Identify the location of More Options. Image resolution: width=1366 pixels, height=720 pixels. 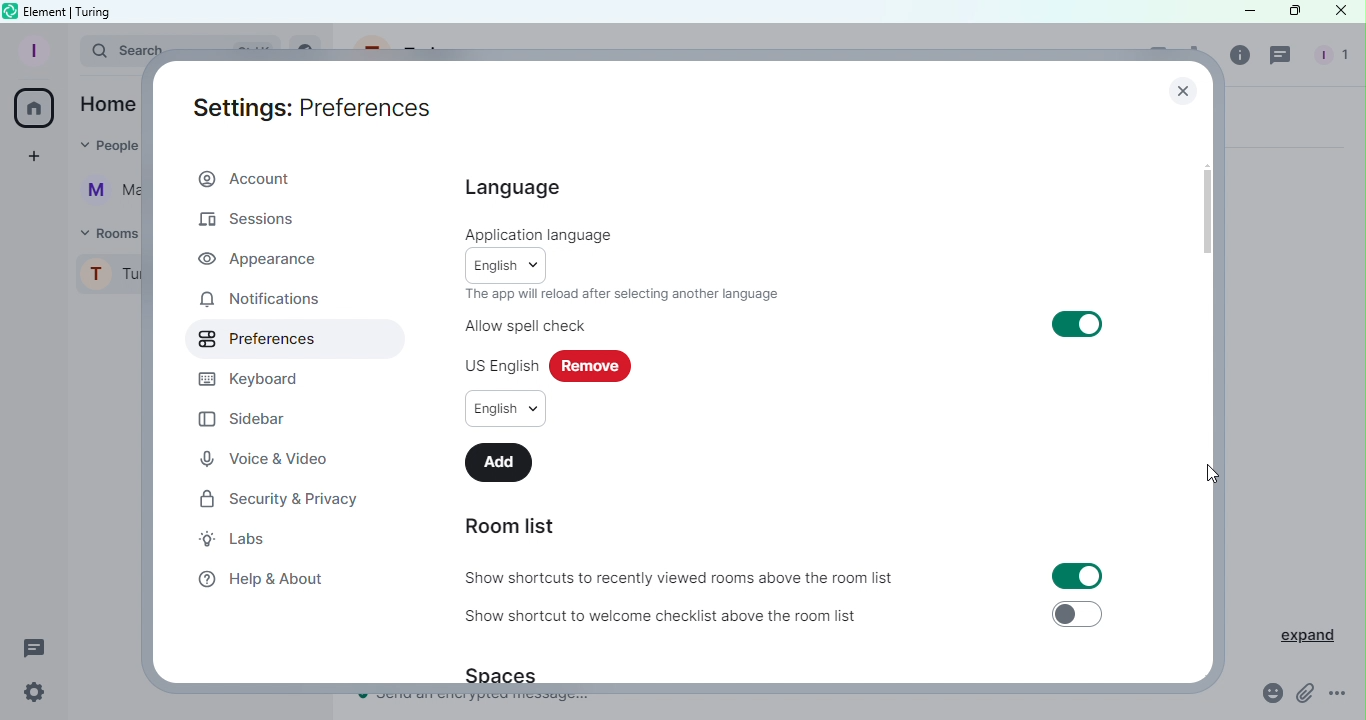
(1340, 694).